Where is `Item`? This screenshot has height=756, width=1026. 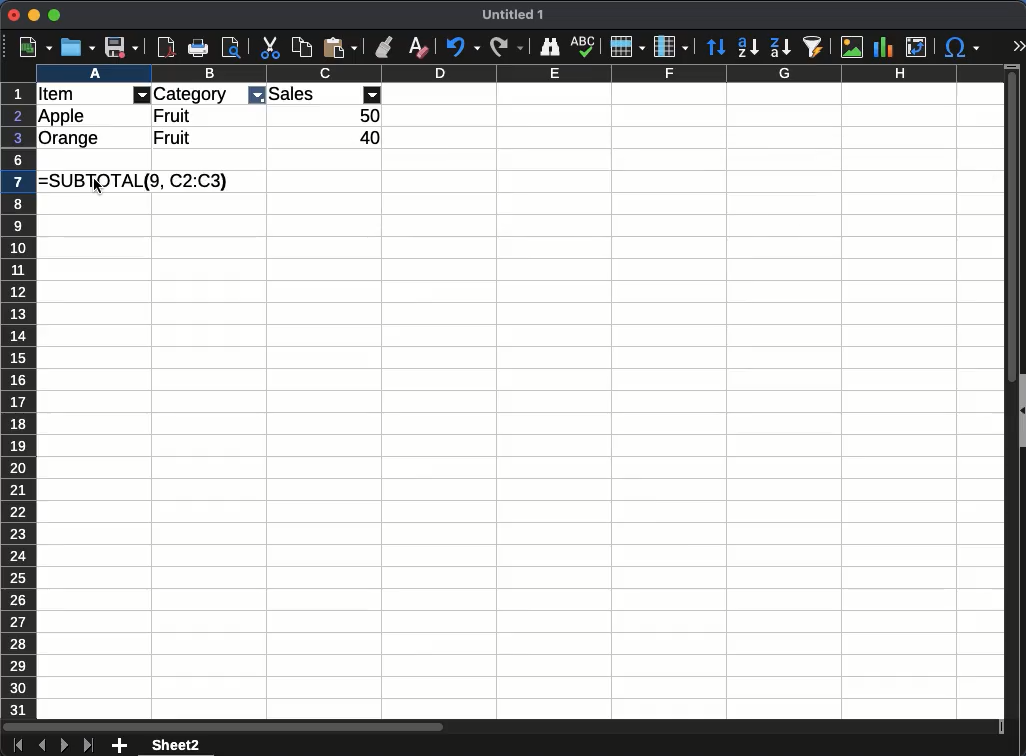 Item is located at coordinates (56, 94).